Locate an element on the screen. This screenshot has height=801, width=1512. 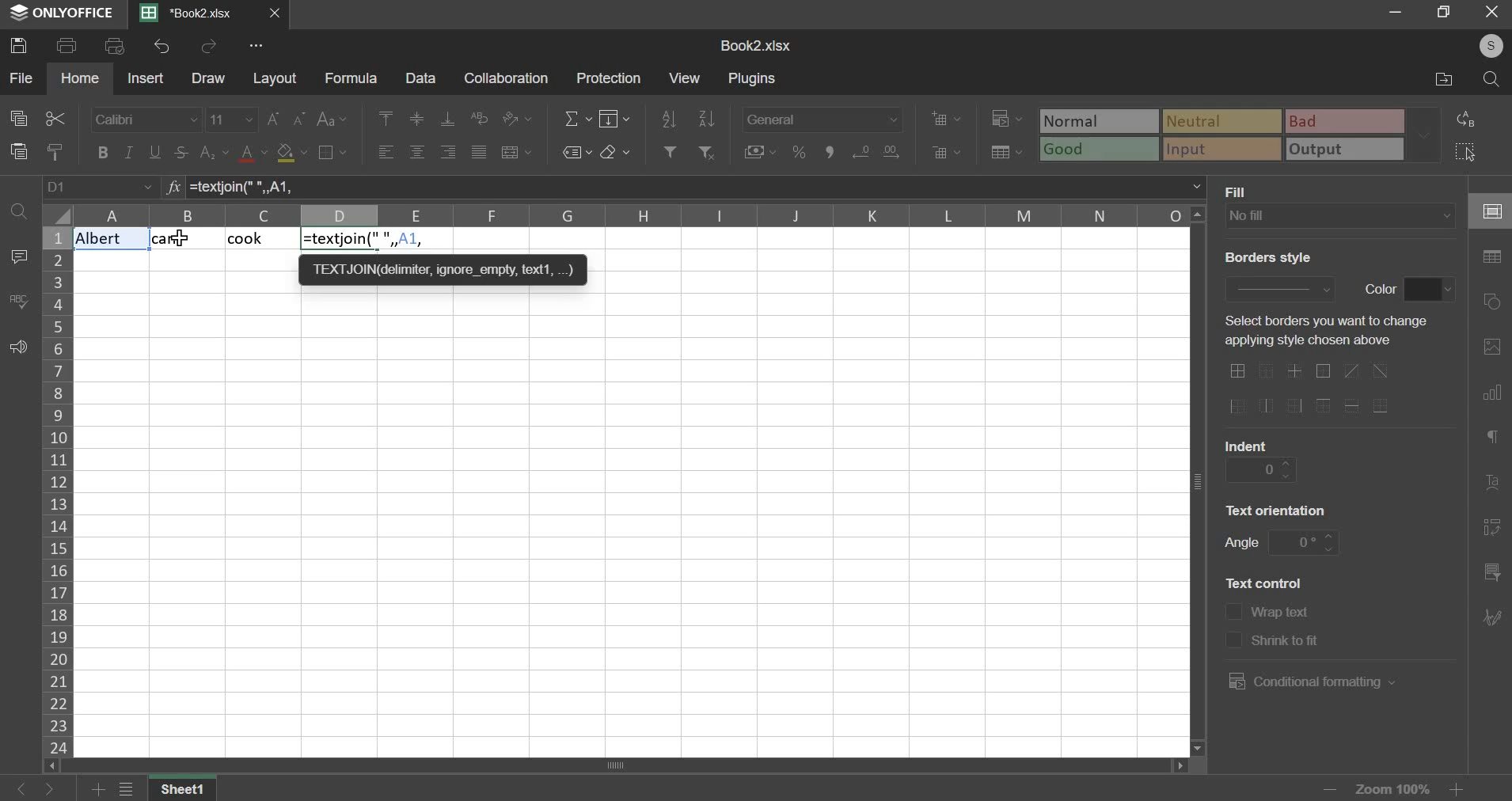
increase decimals is located at coordinates (861, 150).